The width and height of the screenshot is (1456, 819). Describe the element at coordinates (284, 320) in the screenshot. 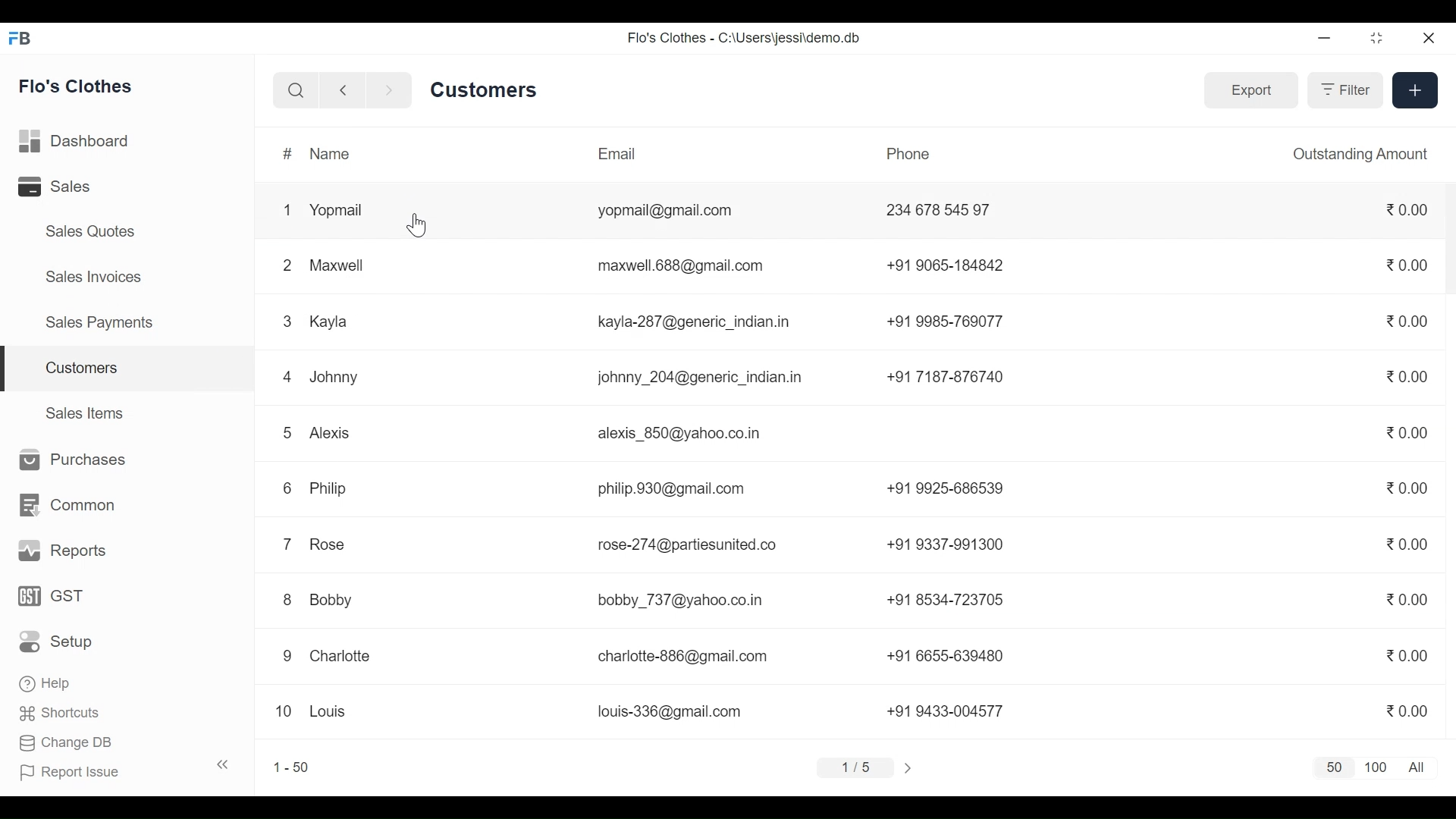

I see `3` at that location.